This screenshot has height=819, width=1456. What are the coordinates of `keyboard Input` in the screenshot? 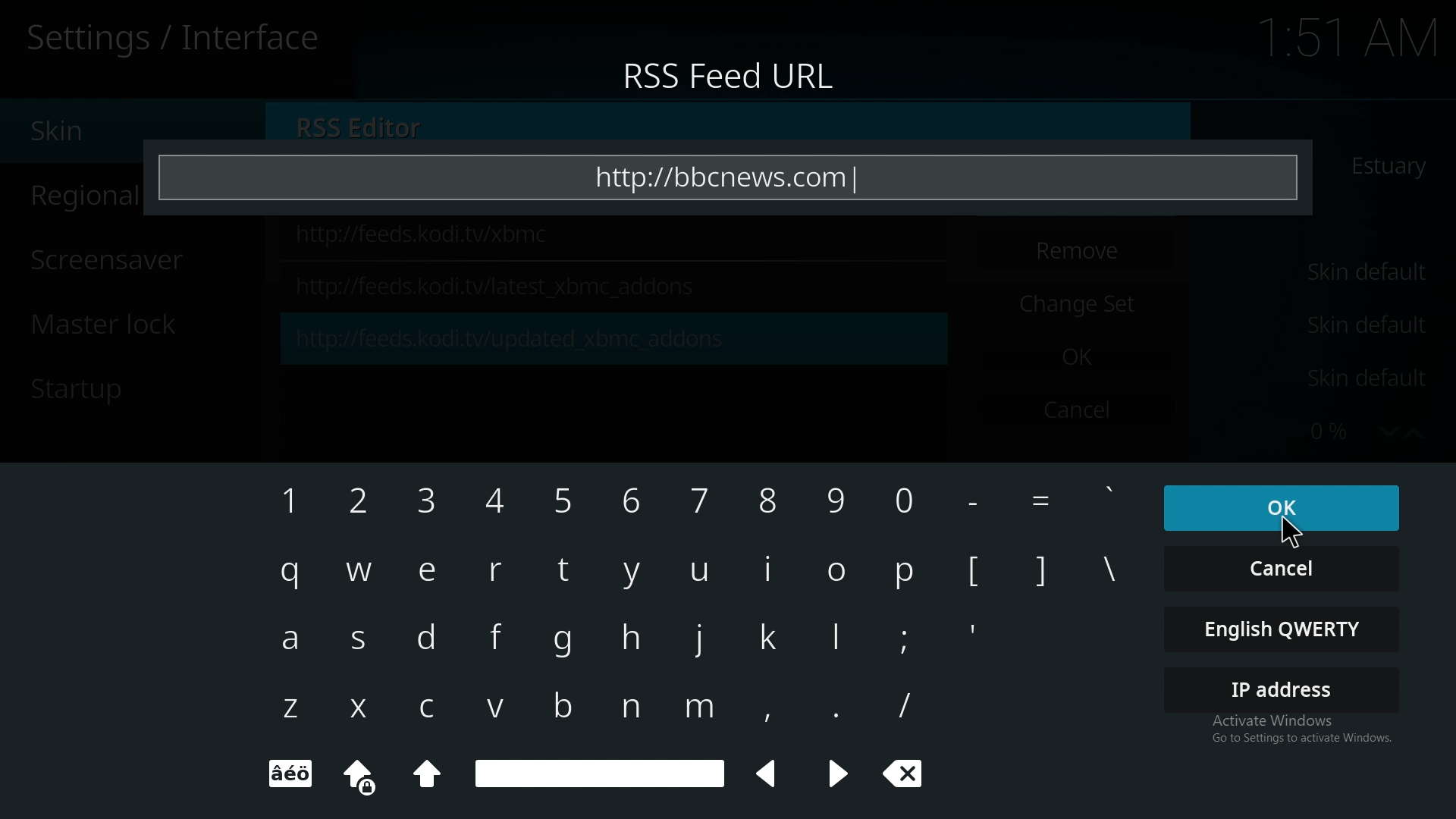 It's located at (428, 777).